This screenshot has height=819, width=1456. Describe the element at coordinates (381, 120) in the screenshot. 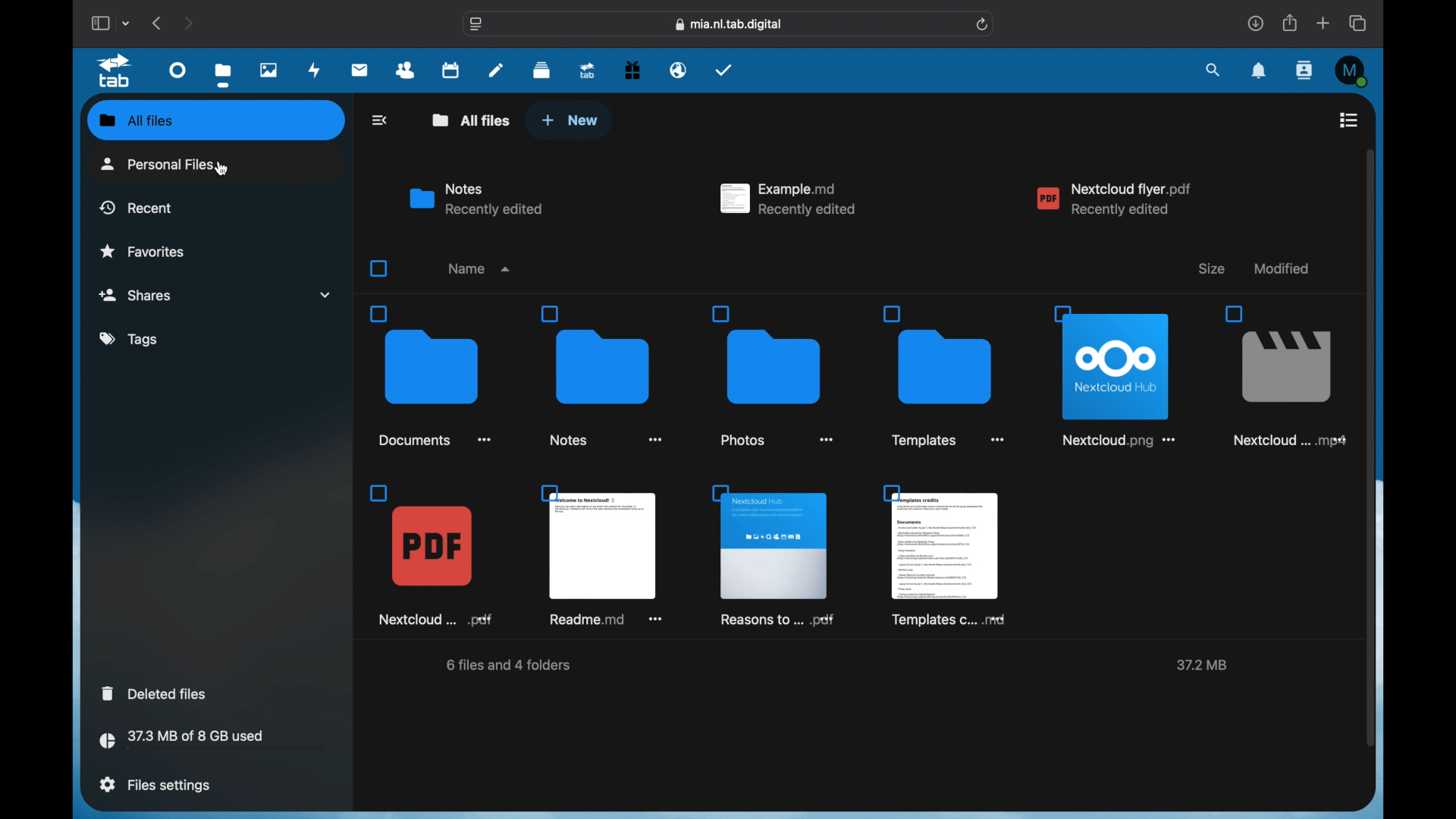

I see `back` at that location.